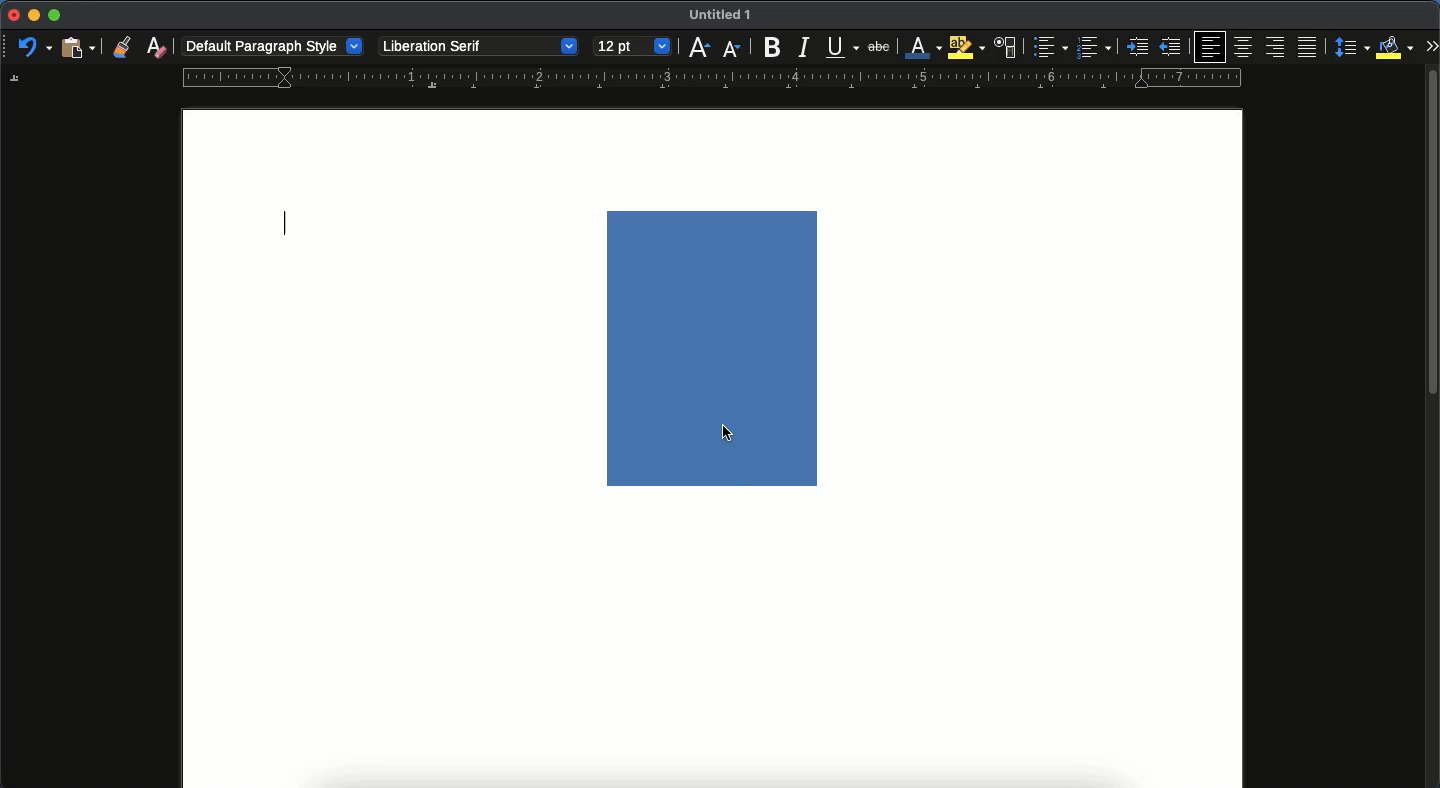  I want to click on character, so click(1007, 47).